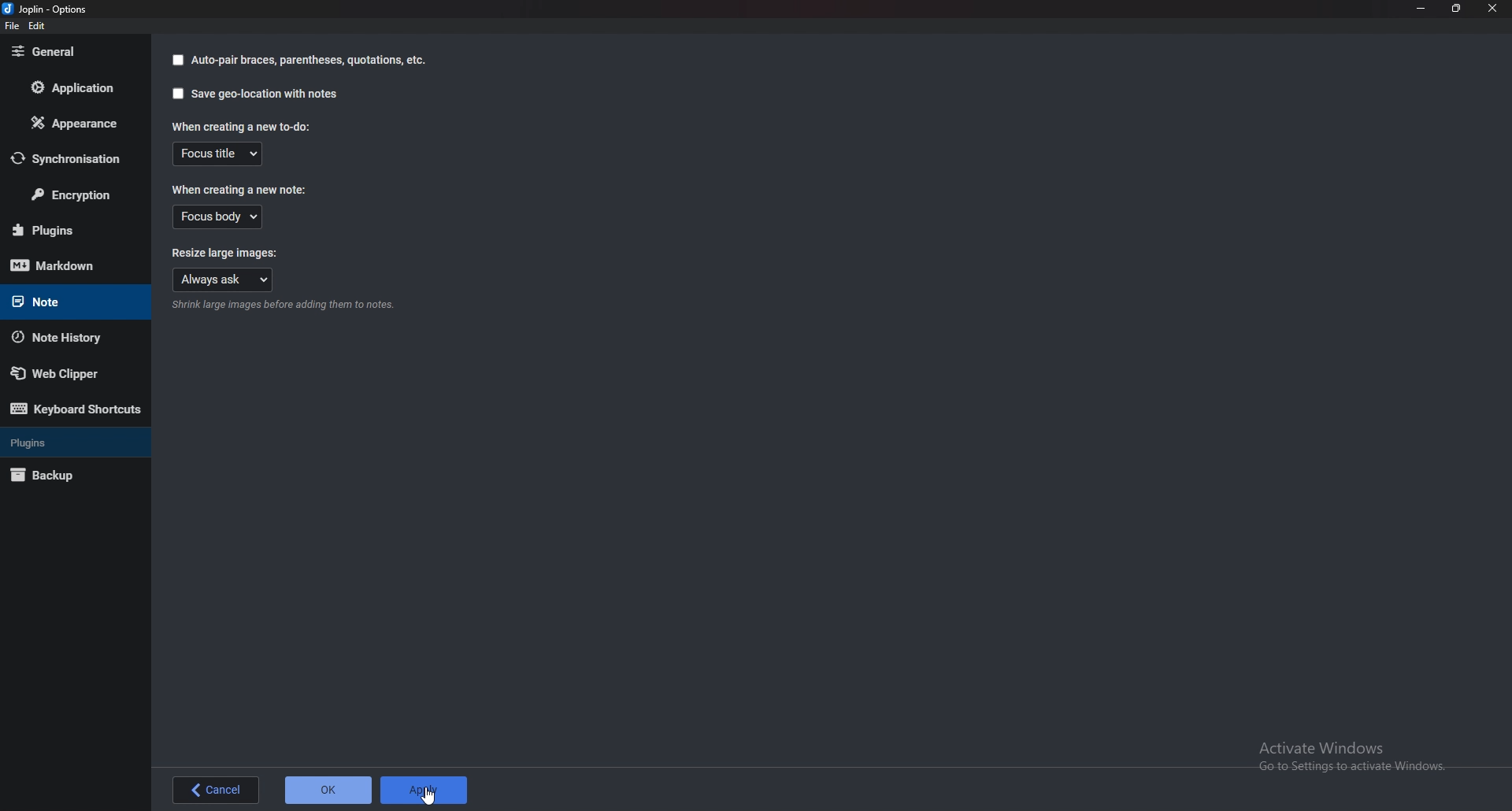  I want to click on Minimize, so click(1420, 8).